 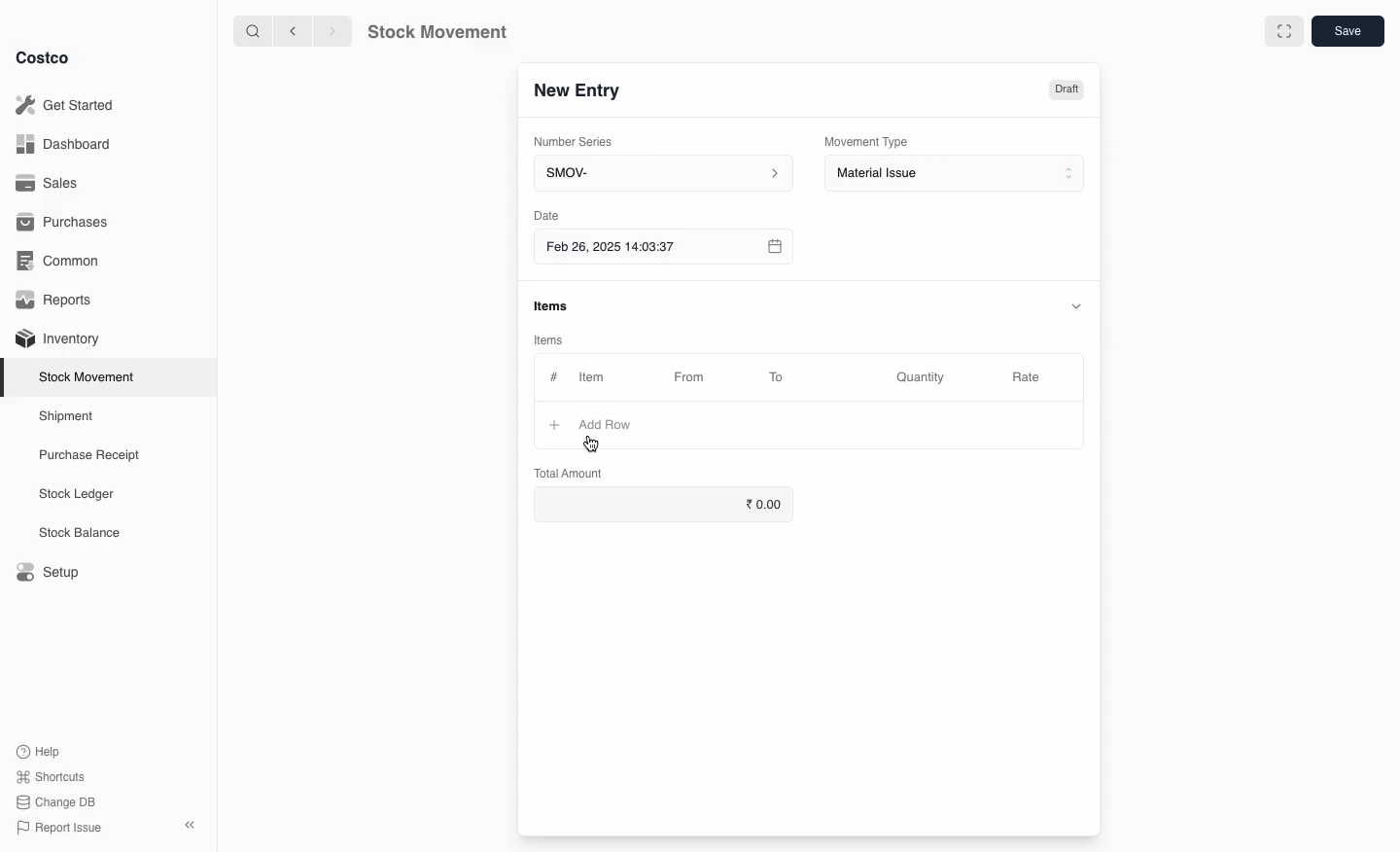 I want to click on 0.00, so click(x=664, y=500).